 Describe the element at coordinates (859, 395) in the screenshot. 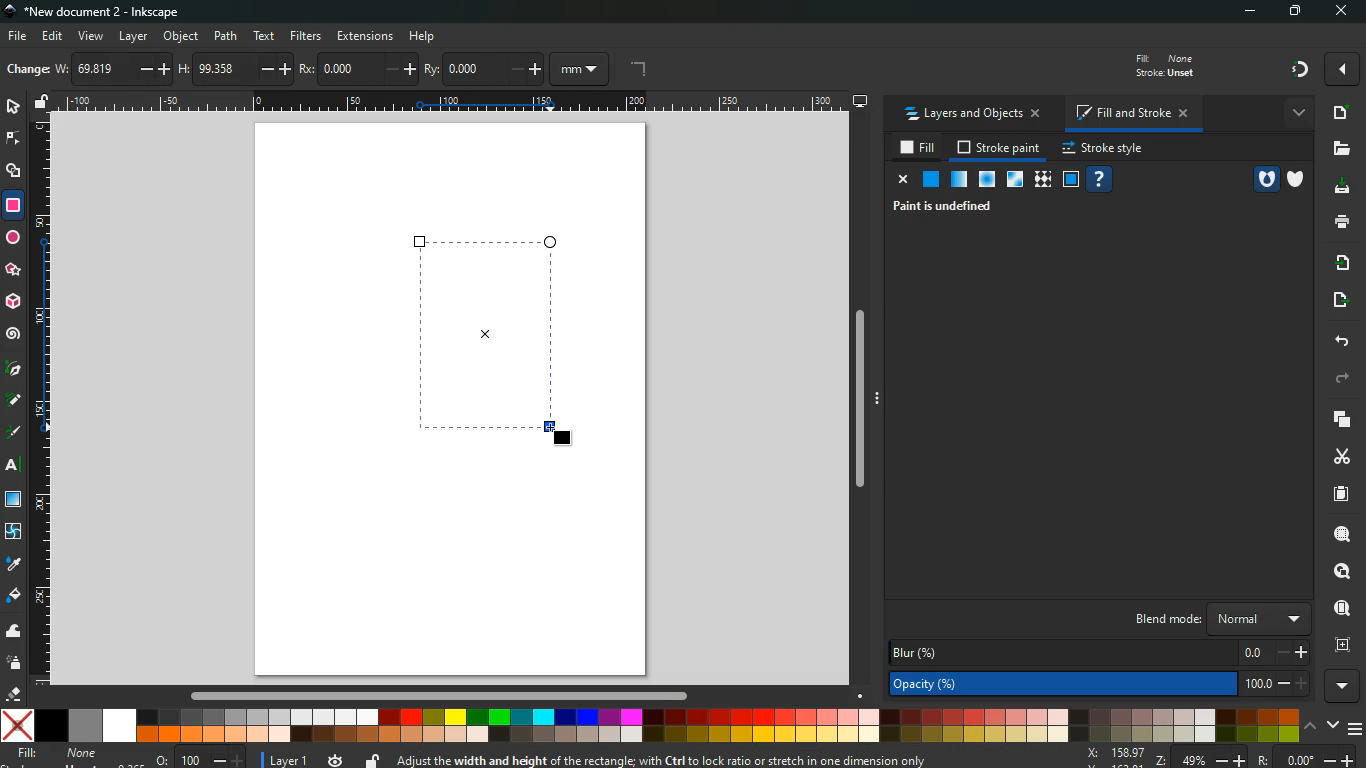

I see `scroll bar` at that location.